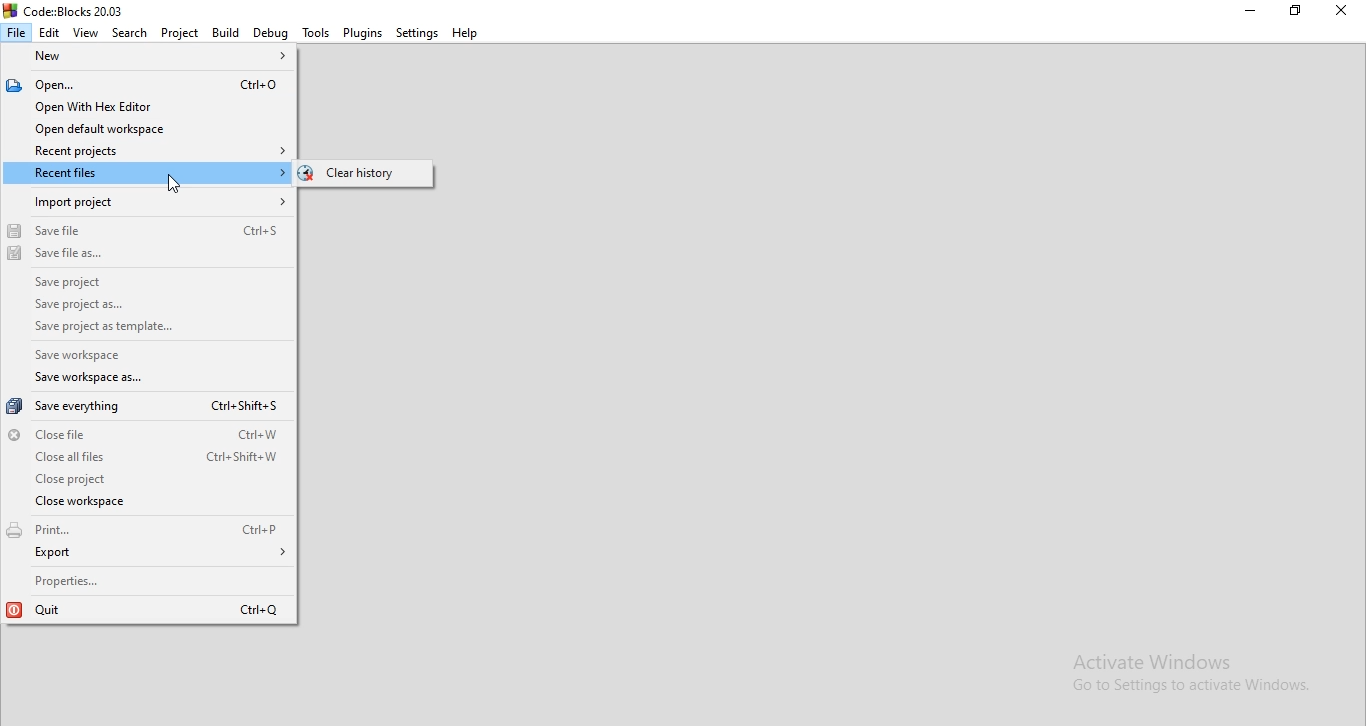 The image size is (1366, 726). I want to click on Print, so click(146, 532).